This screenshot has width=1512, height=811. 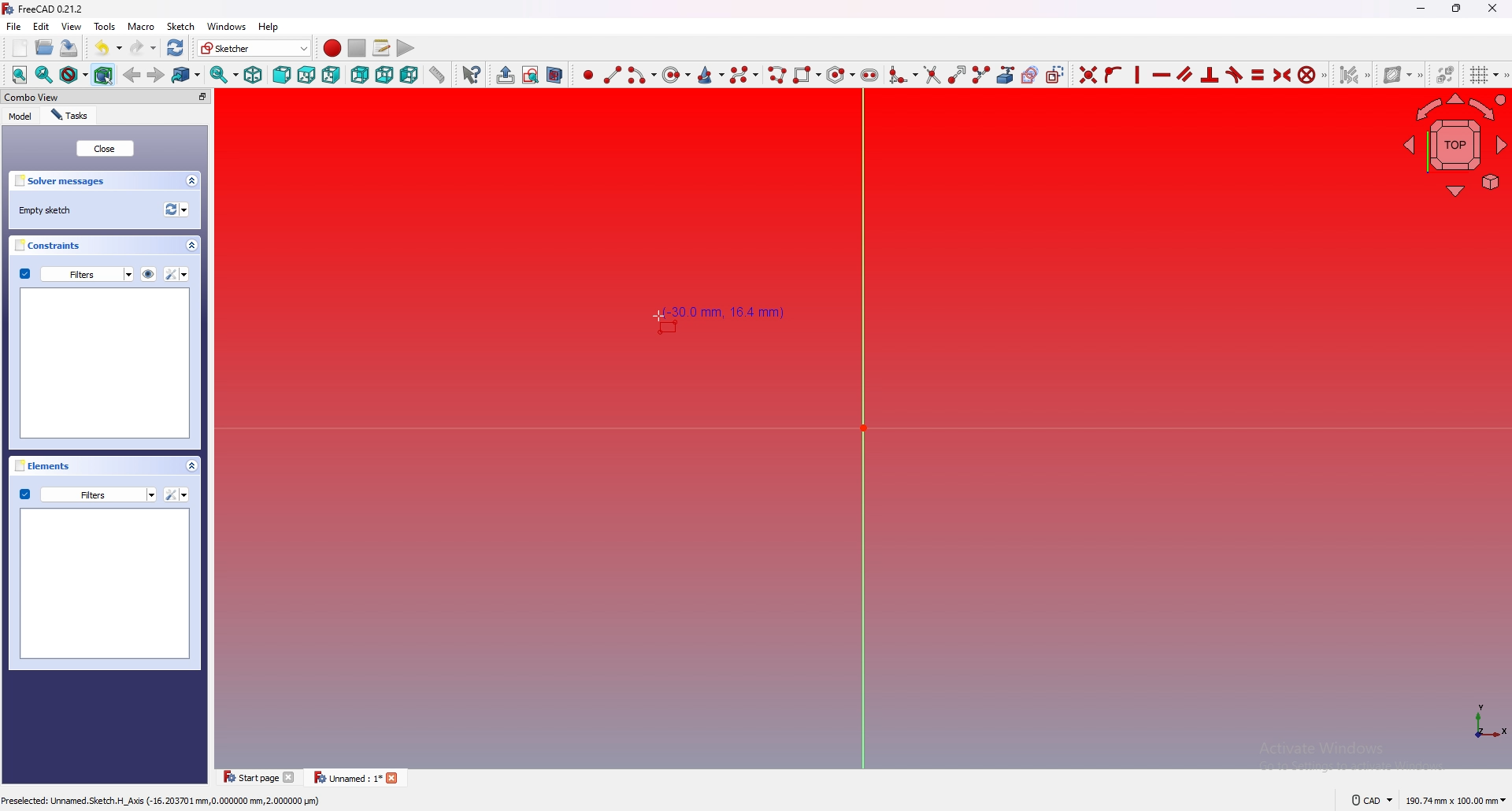 I want to click on switch virtual space, so click(x=1446, y=74).